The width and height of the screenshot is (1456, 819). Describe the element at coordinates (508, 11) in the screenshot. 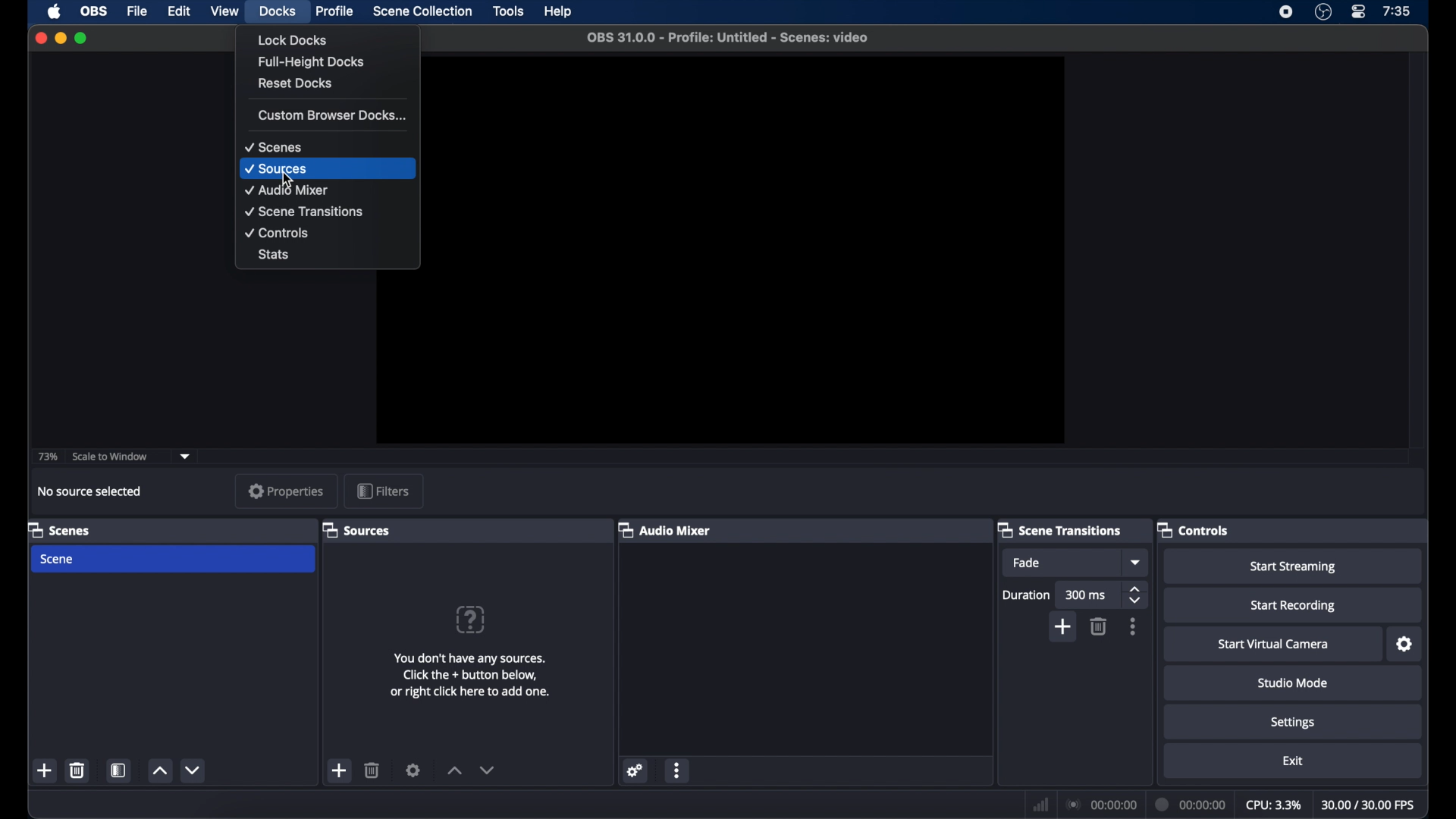

I see `tools` at that location.